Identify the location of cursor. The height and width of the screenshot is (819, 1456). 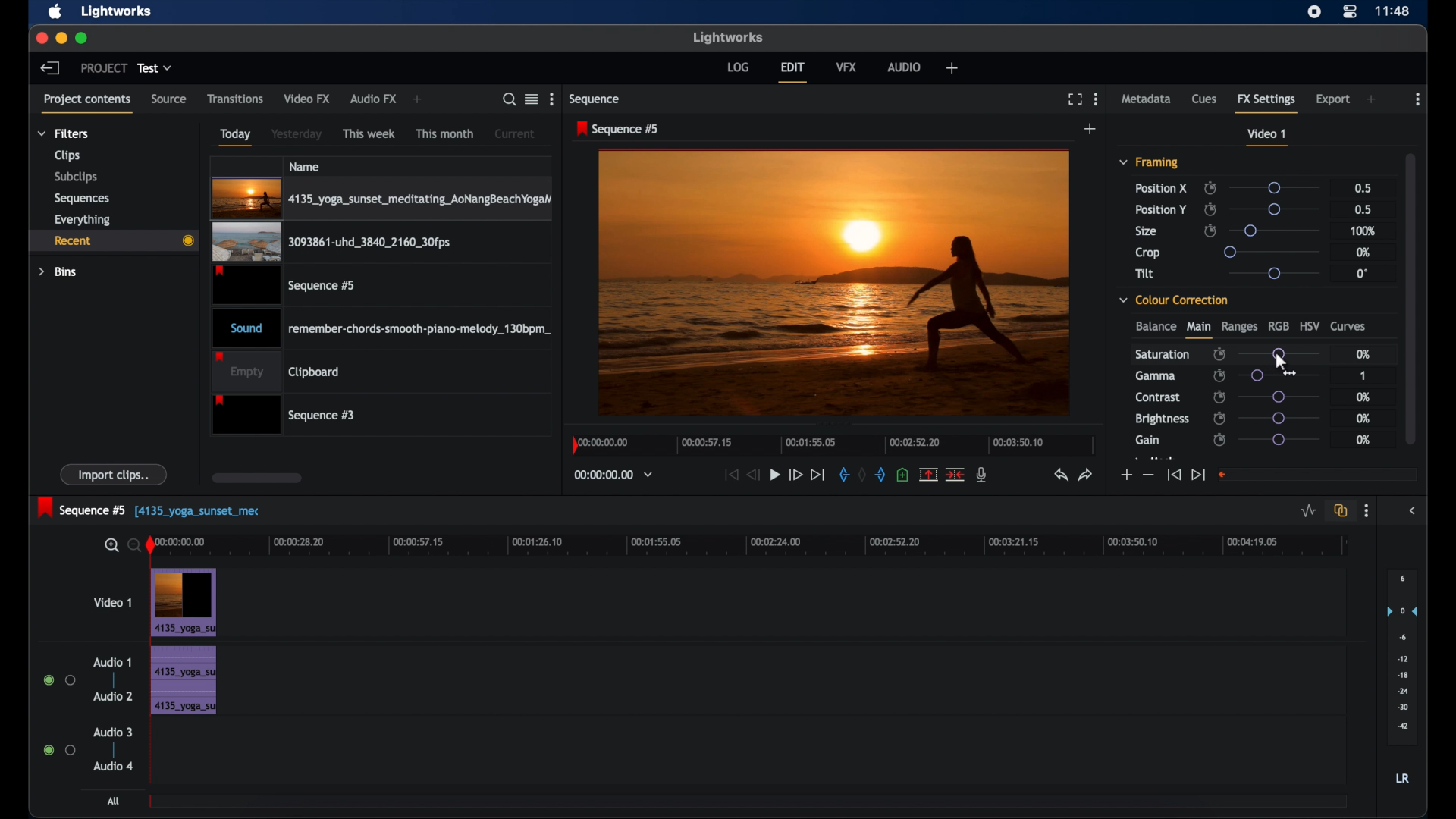
(1287, 365).